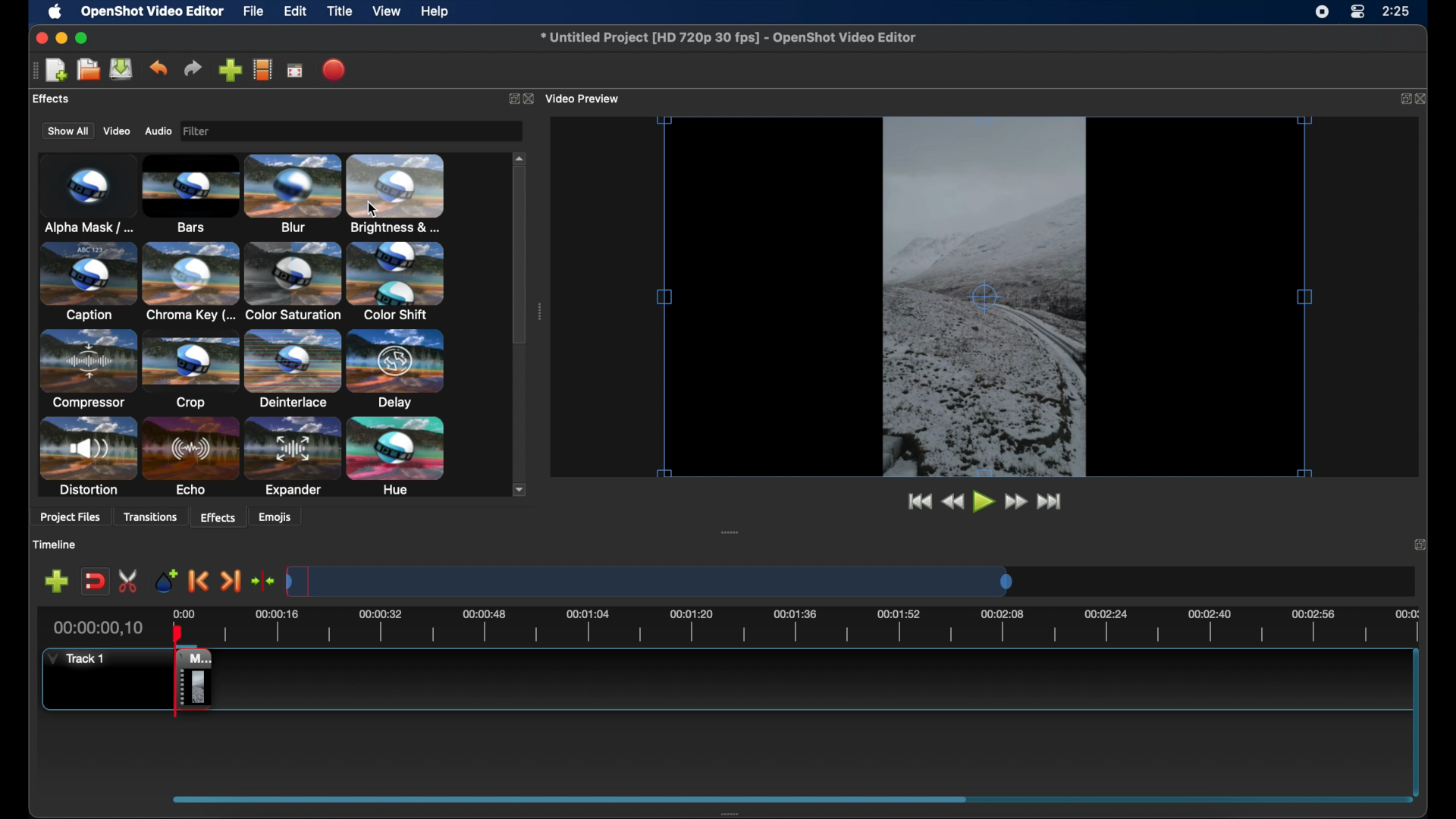 The width and height of the screenshot is (1456, 819). Describe the element at coordinates (67, 130) in the screenshot. I see `show all` at that location.